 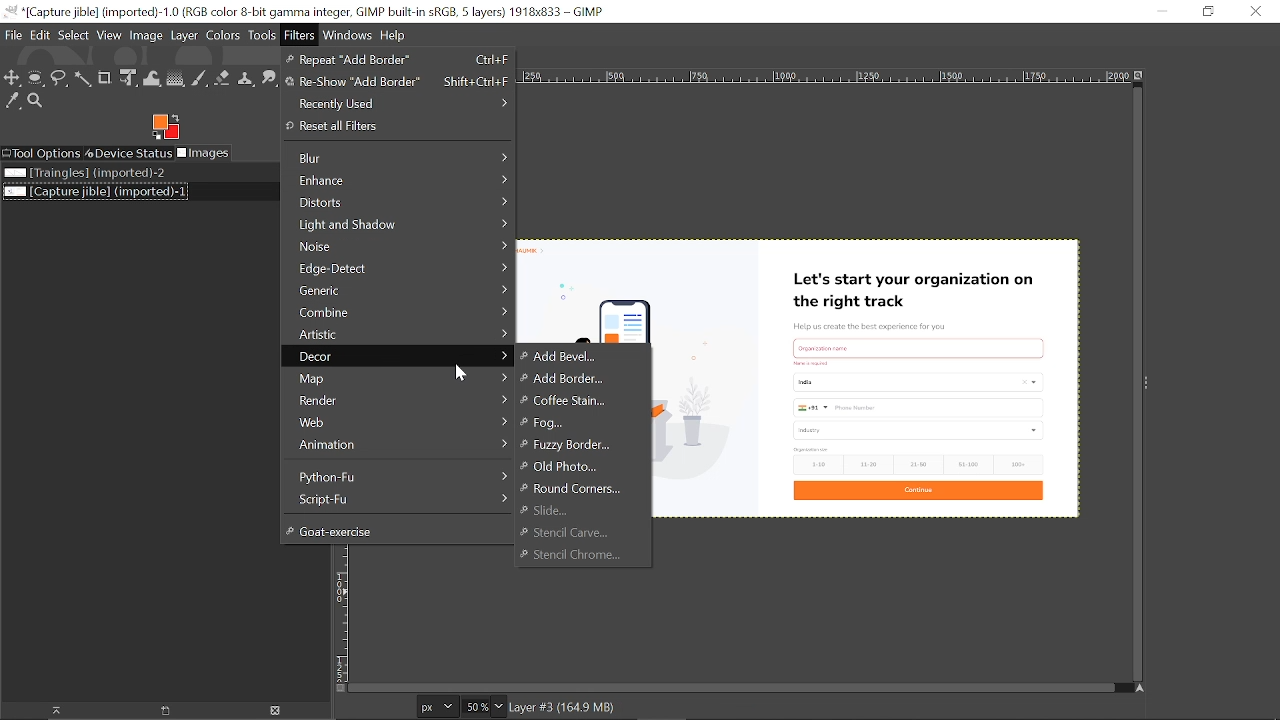 What do you see at coordinates (572, 444) in the screenshot?
I see `Fuzzy Border` at bounding box center [572, 444].